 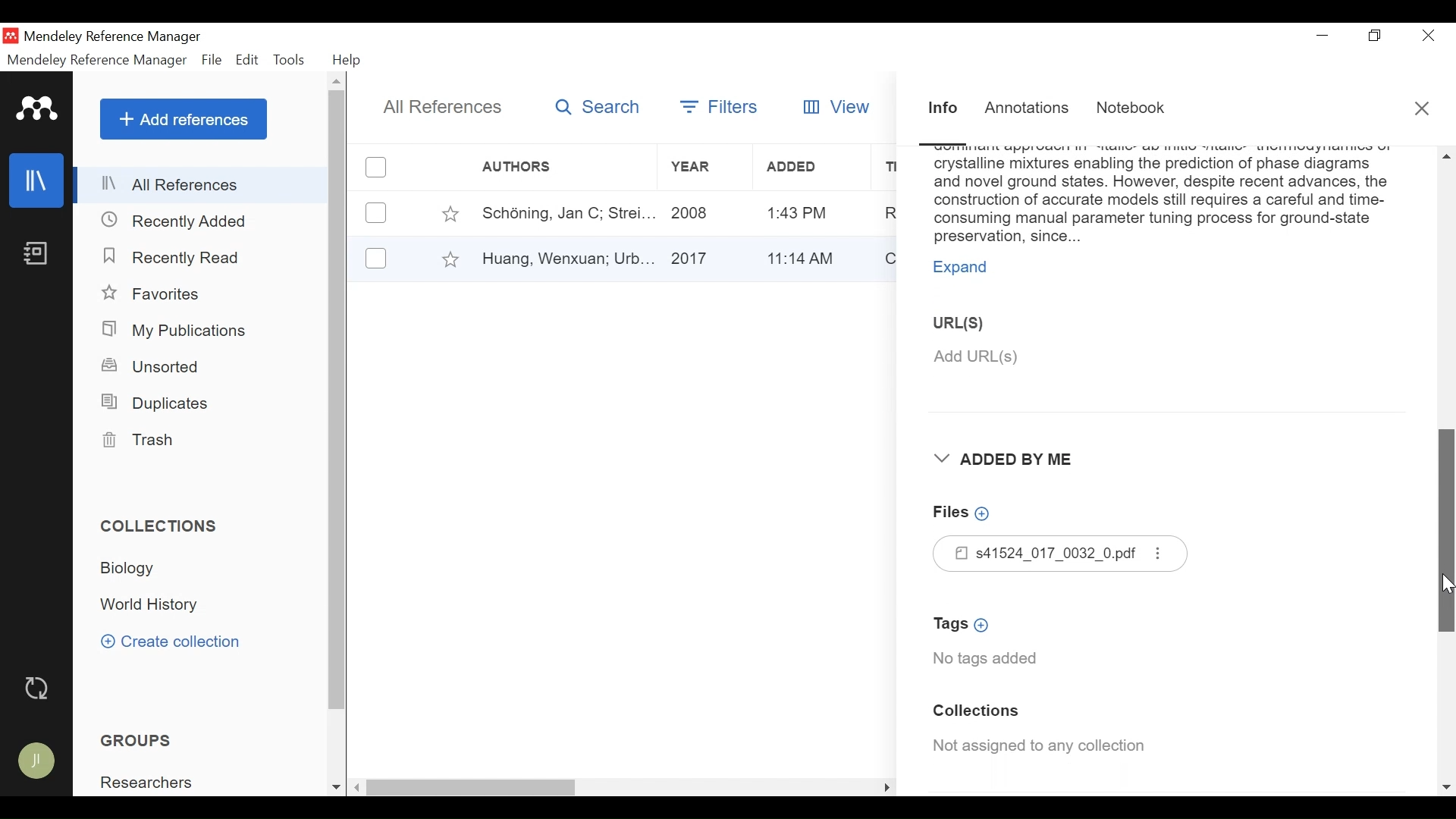 What do you see at coordinates (337, 80) in the screenshot?
I see `Scroll up` at bounding box center [337, 80].